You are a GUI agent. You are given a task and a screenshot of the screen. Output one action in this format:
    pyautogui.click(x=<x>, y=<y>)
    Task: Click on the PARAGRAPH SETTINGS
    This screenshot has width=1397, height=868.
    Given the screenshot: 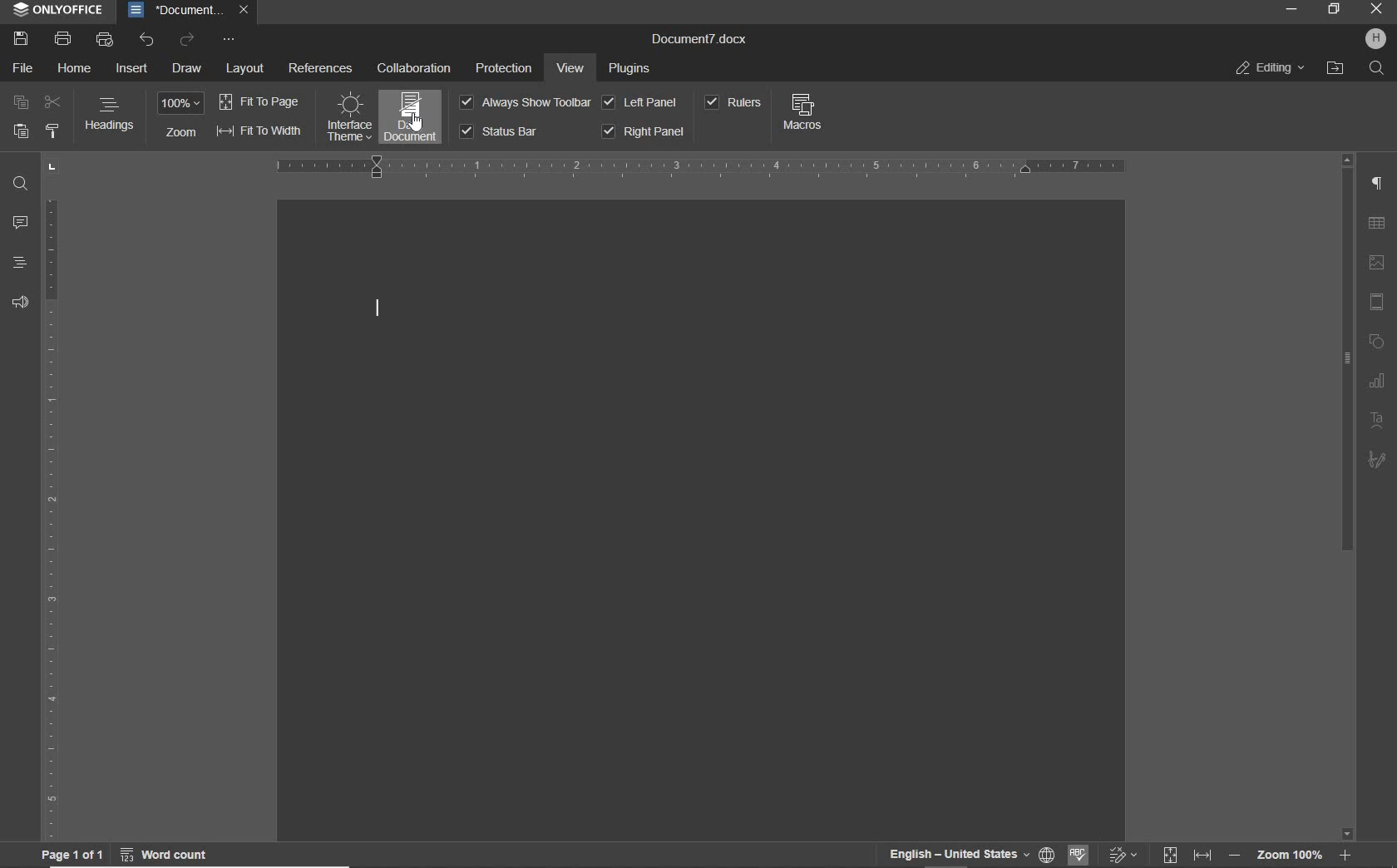 What is the action you would take?
    pyautogui.click(x=1377, y=184)
    